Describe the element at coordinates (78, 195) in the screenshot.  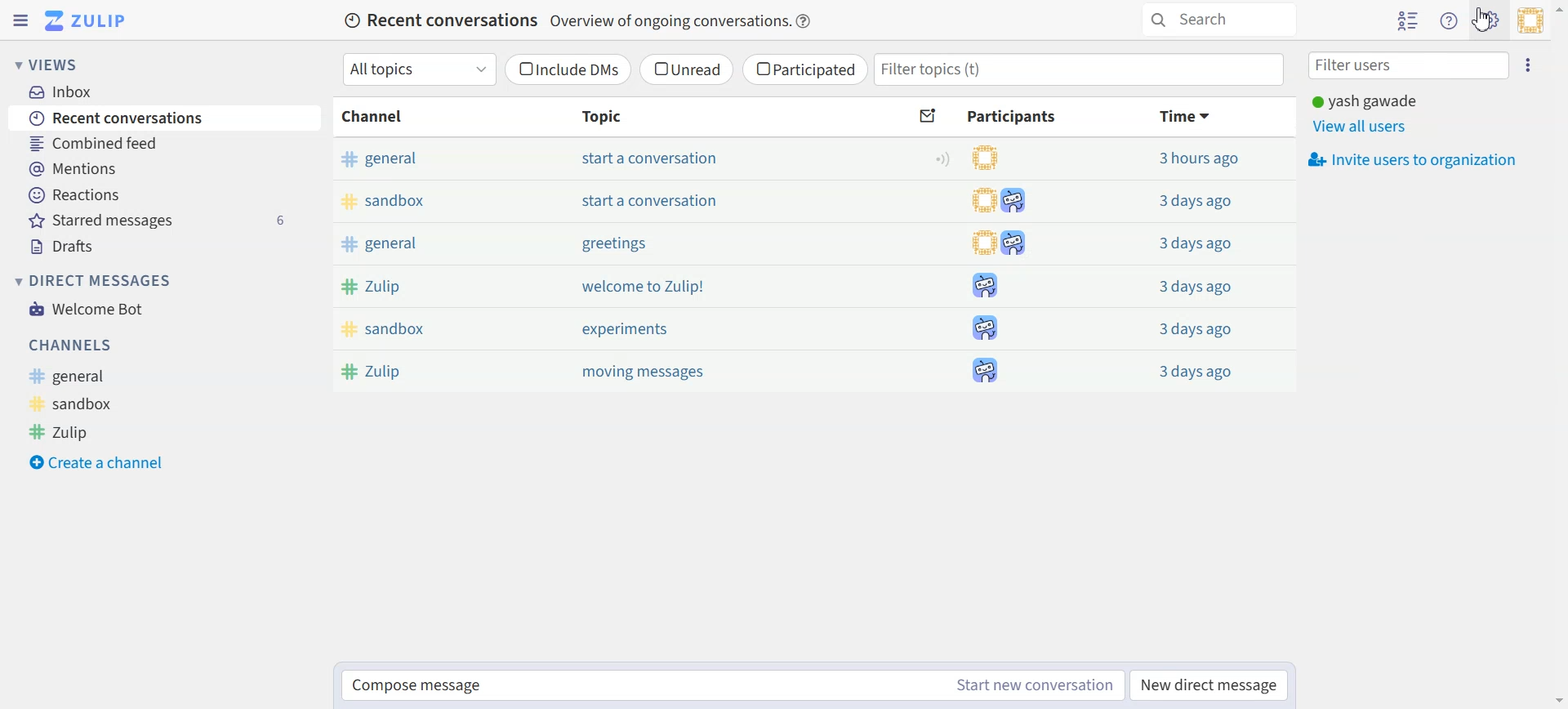
I see `Reactions` at that location.